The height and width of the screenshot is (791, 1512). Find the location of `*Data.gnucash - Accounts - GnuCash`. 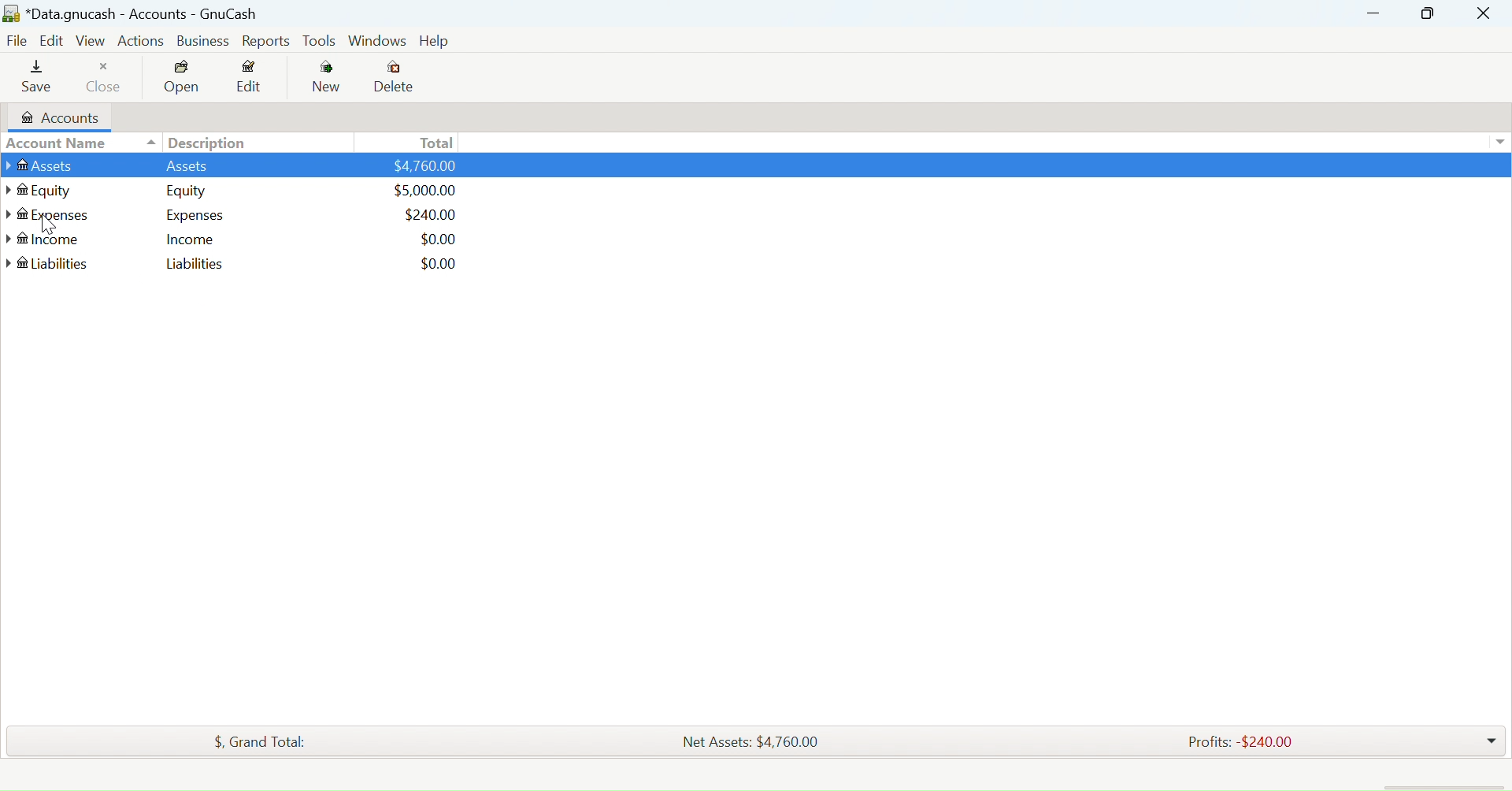

*Data.gnucash - Accounts - GnuCash is located at coordinates (133, 15).